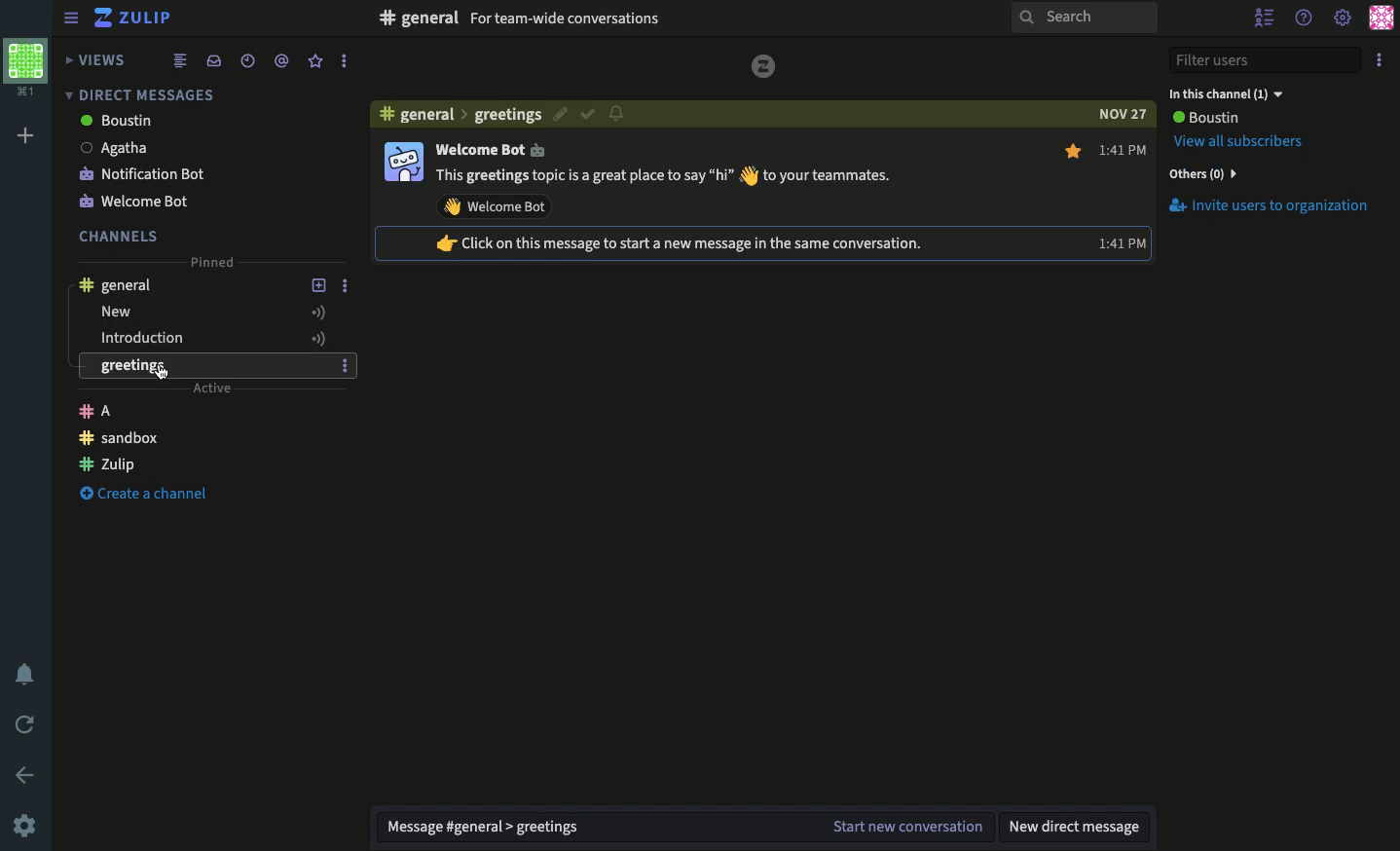 The image size is (1400, 851). Describe the element at coordinates (24, 825) in the screenshot. I see `Settings` at that location.